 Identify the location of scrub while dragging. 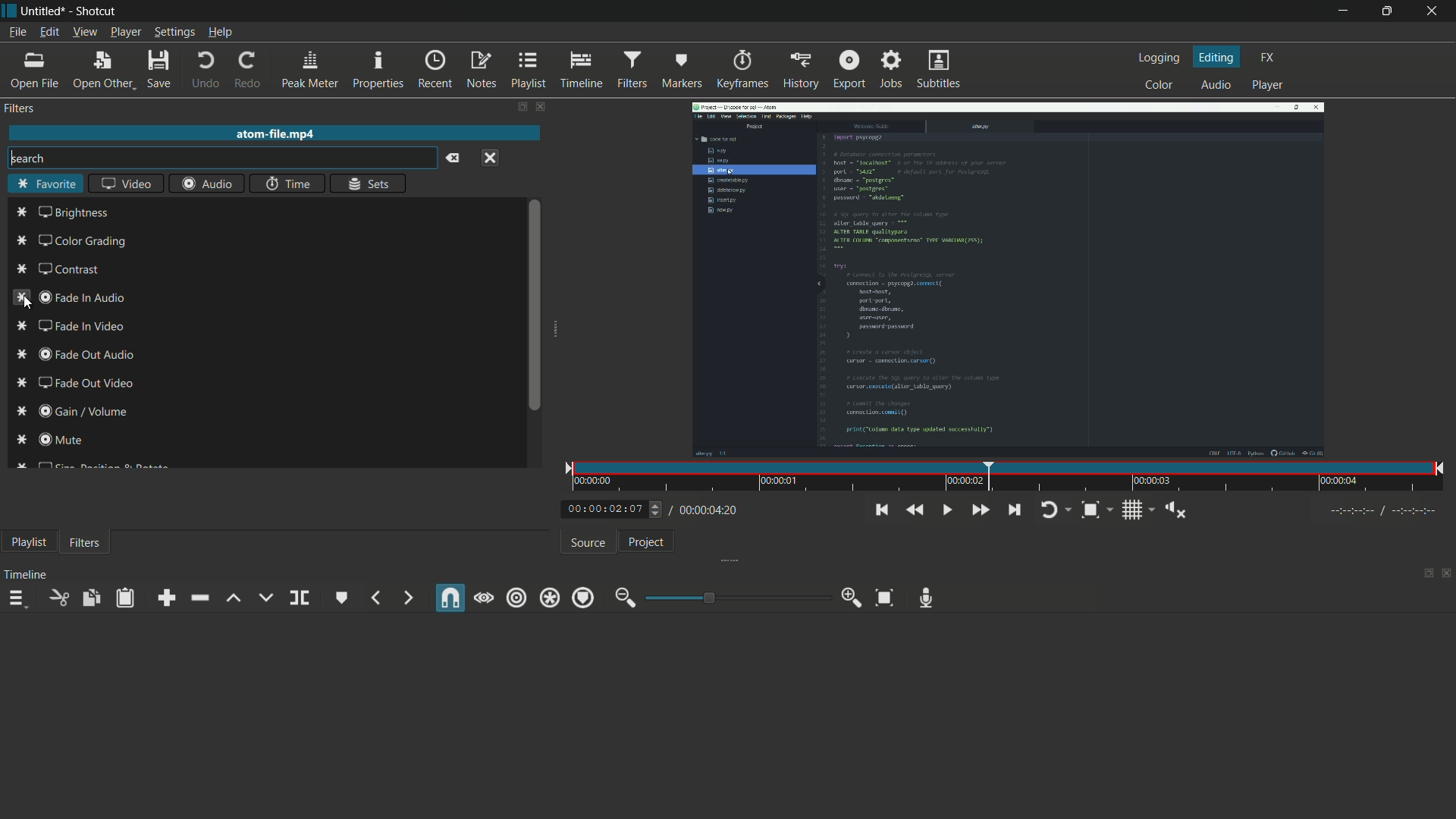
(484, 598).